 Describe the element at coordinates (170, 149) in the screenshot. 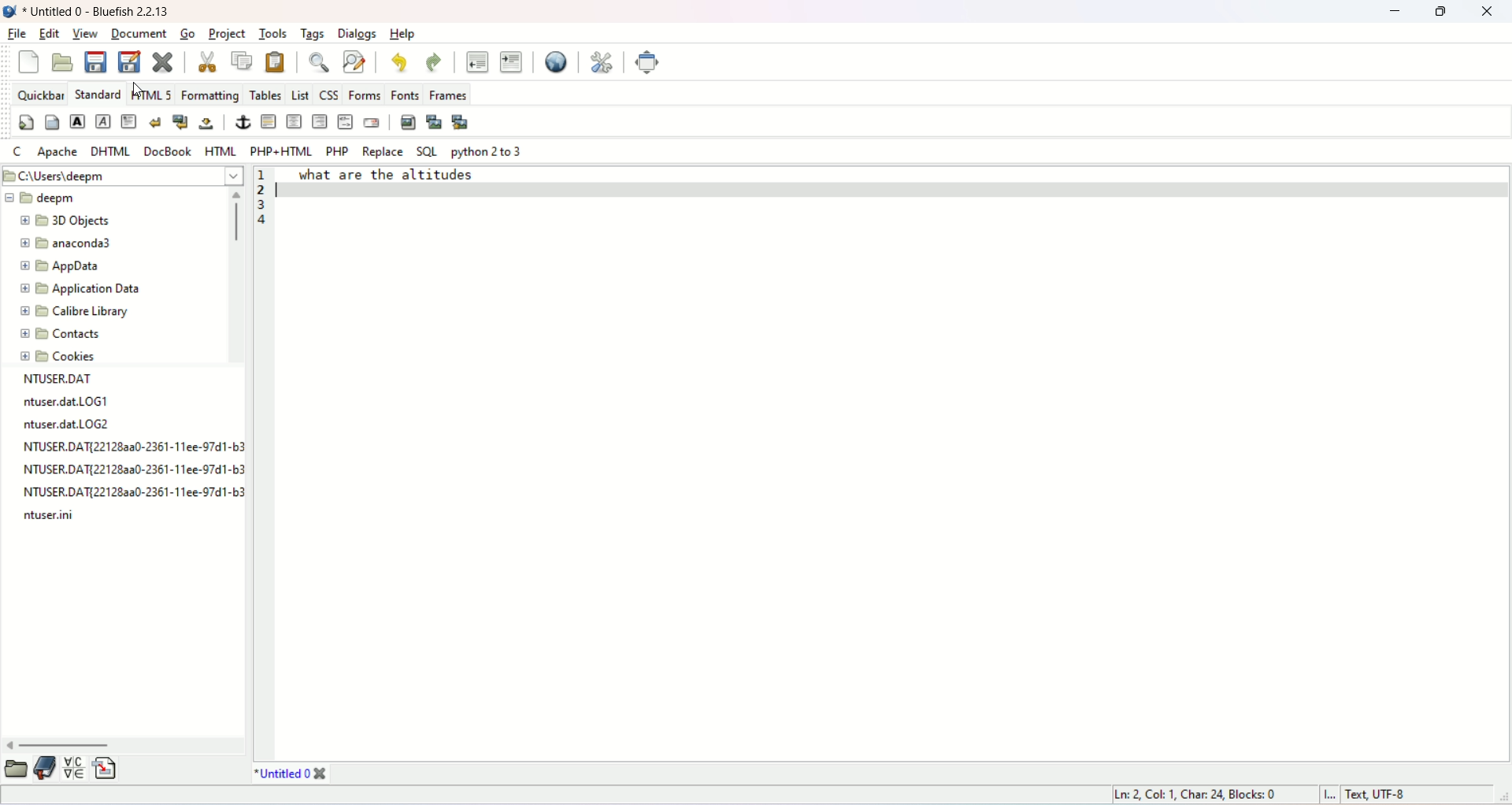

I see `docbook` at that location.